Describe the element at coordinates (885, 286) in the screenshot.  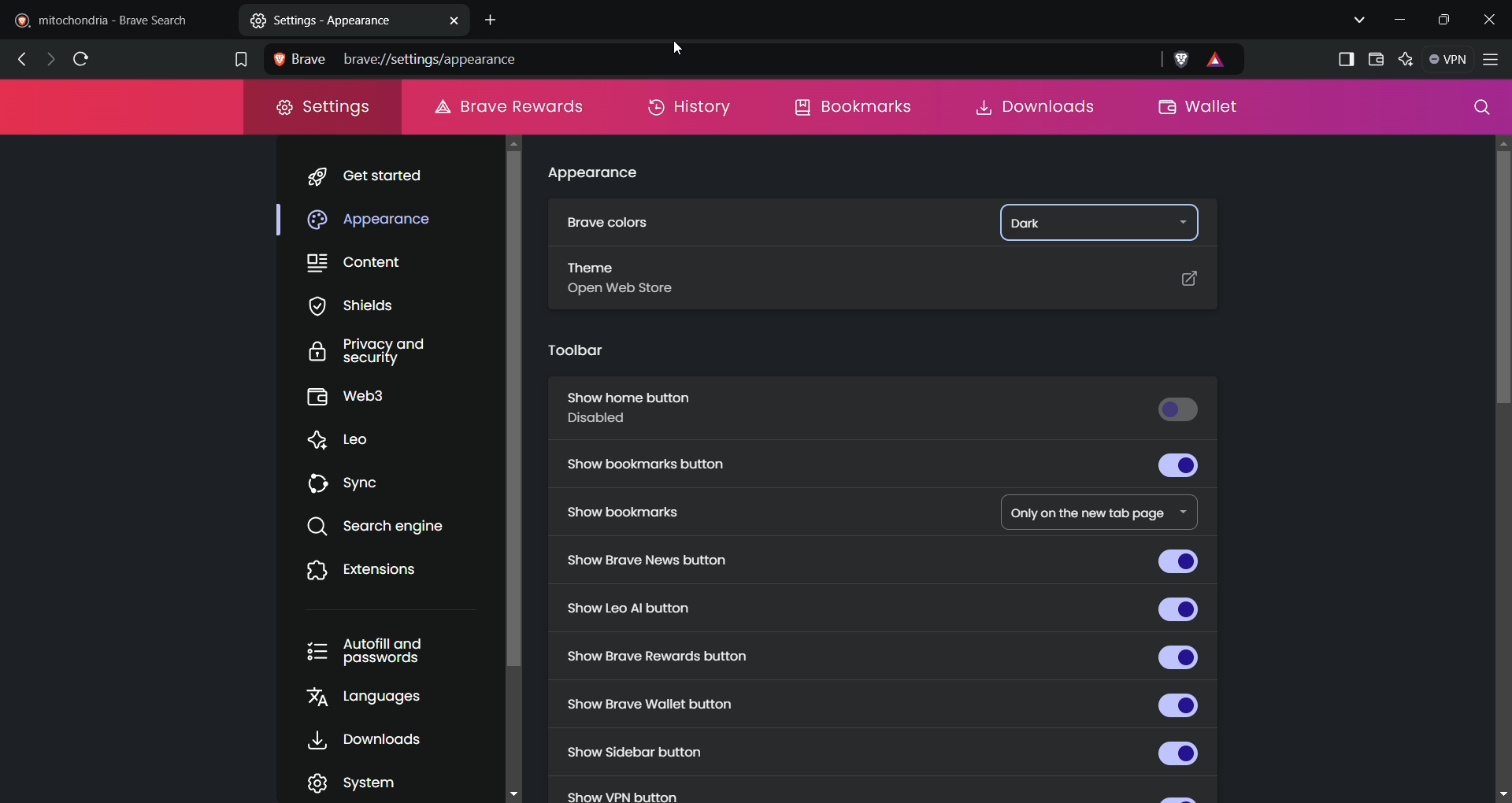
I see `theme open web store` at that location.